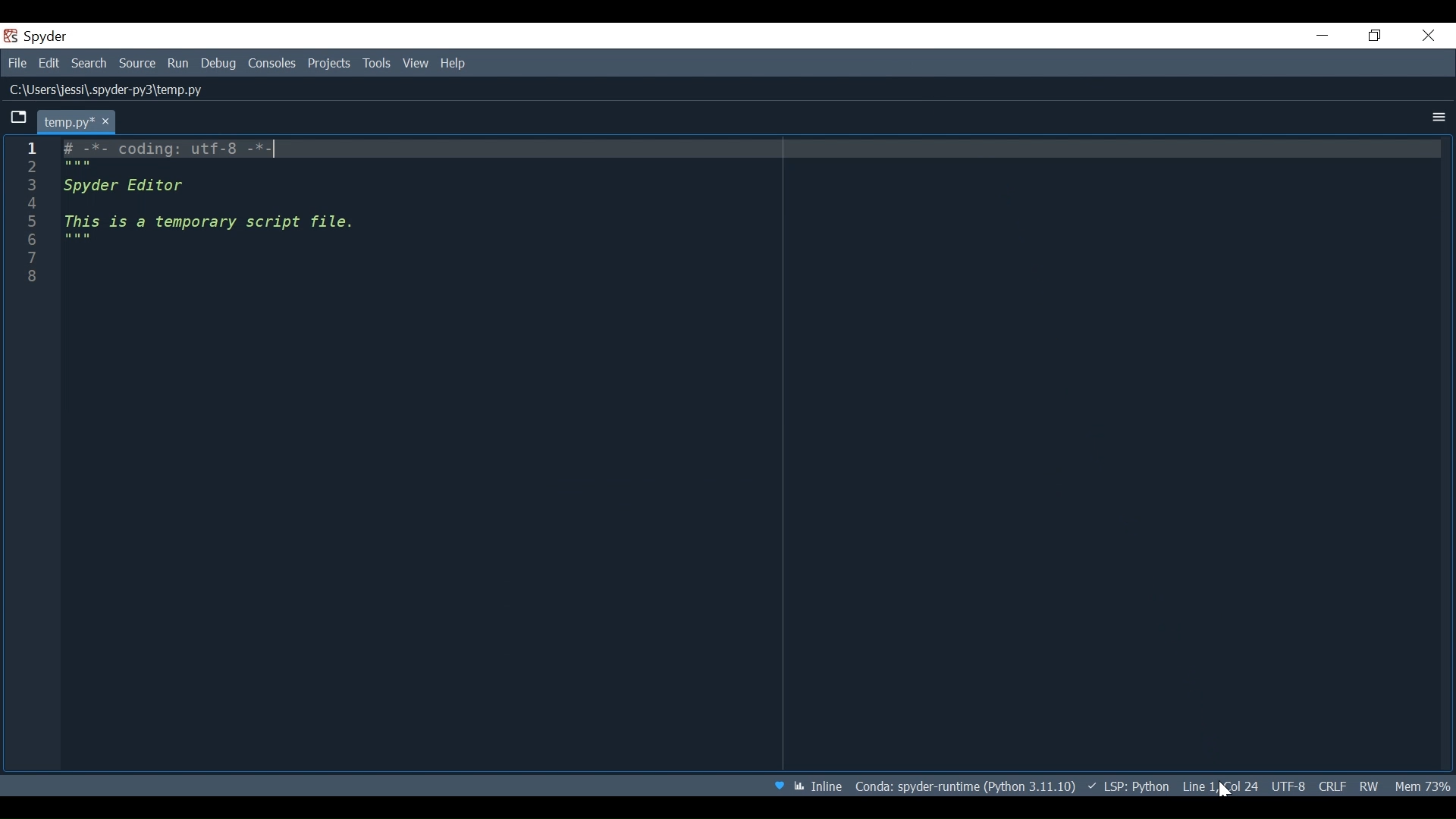 Image resolution: width=1456 pixels, height=819 pixels. I want to click on File Encoding, so click(1289, 785).